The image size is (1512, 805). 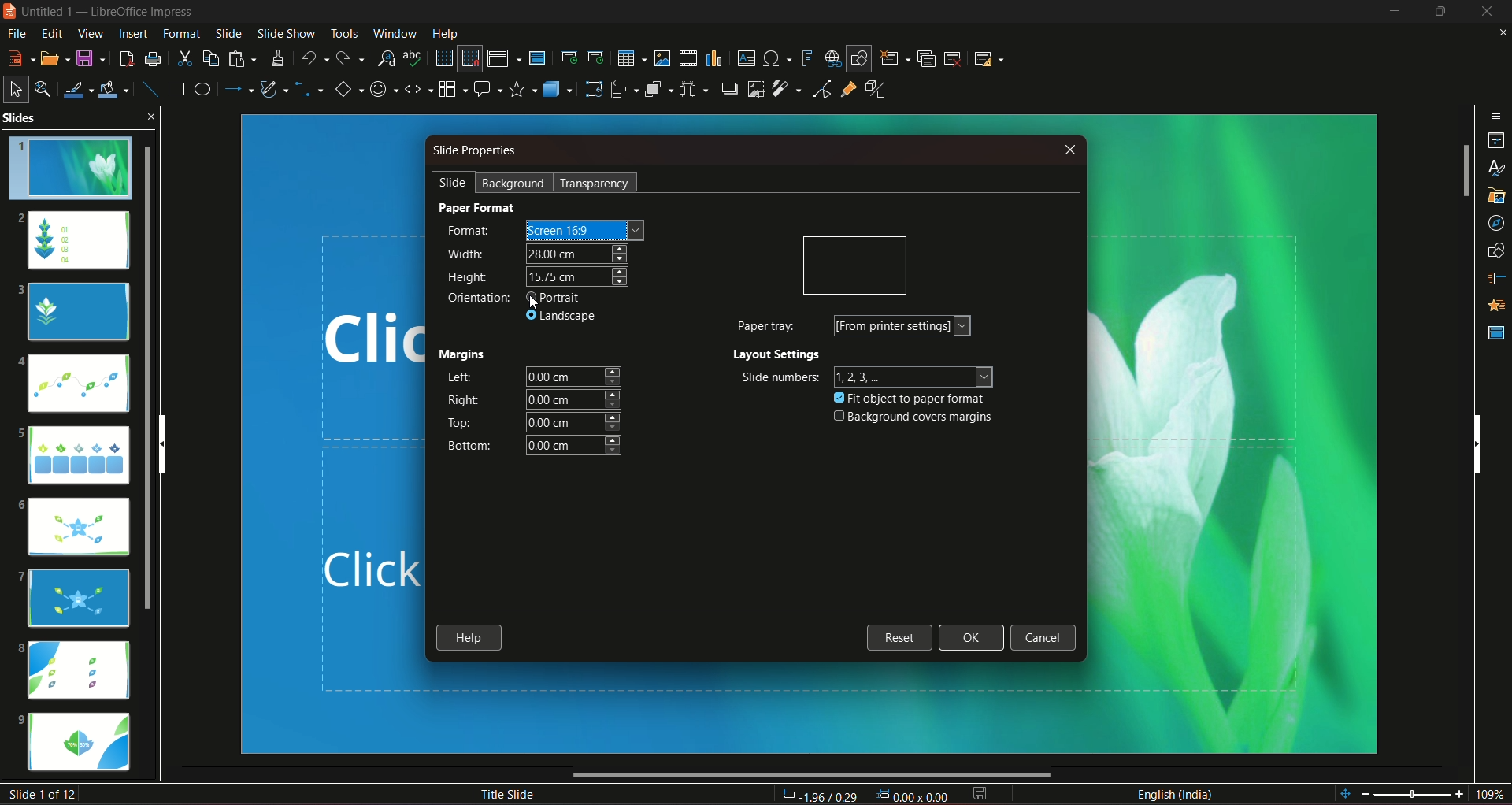 What do you see at coordinates (466, 252) in the screenshot?
I see `width` at bounding box center [466, 252].